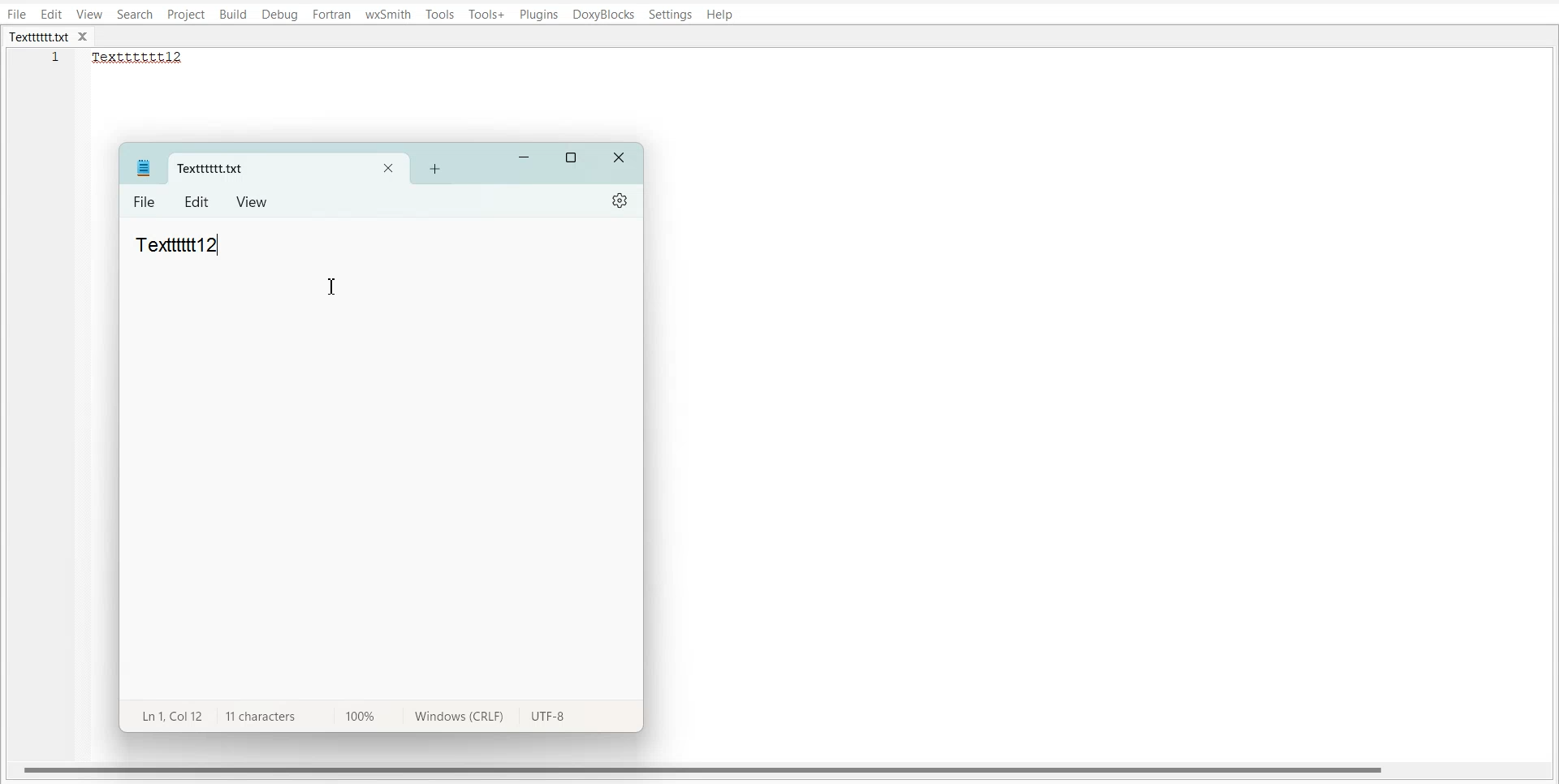 The width and height of the screenshot is (1559, 784). What do you see at coordinates (261, 169) in the screenshot?
I see `Folder` at bounding box center [261, 169].